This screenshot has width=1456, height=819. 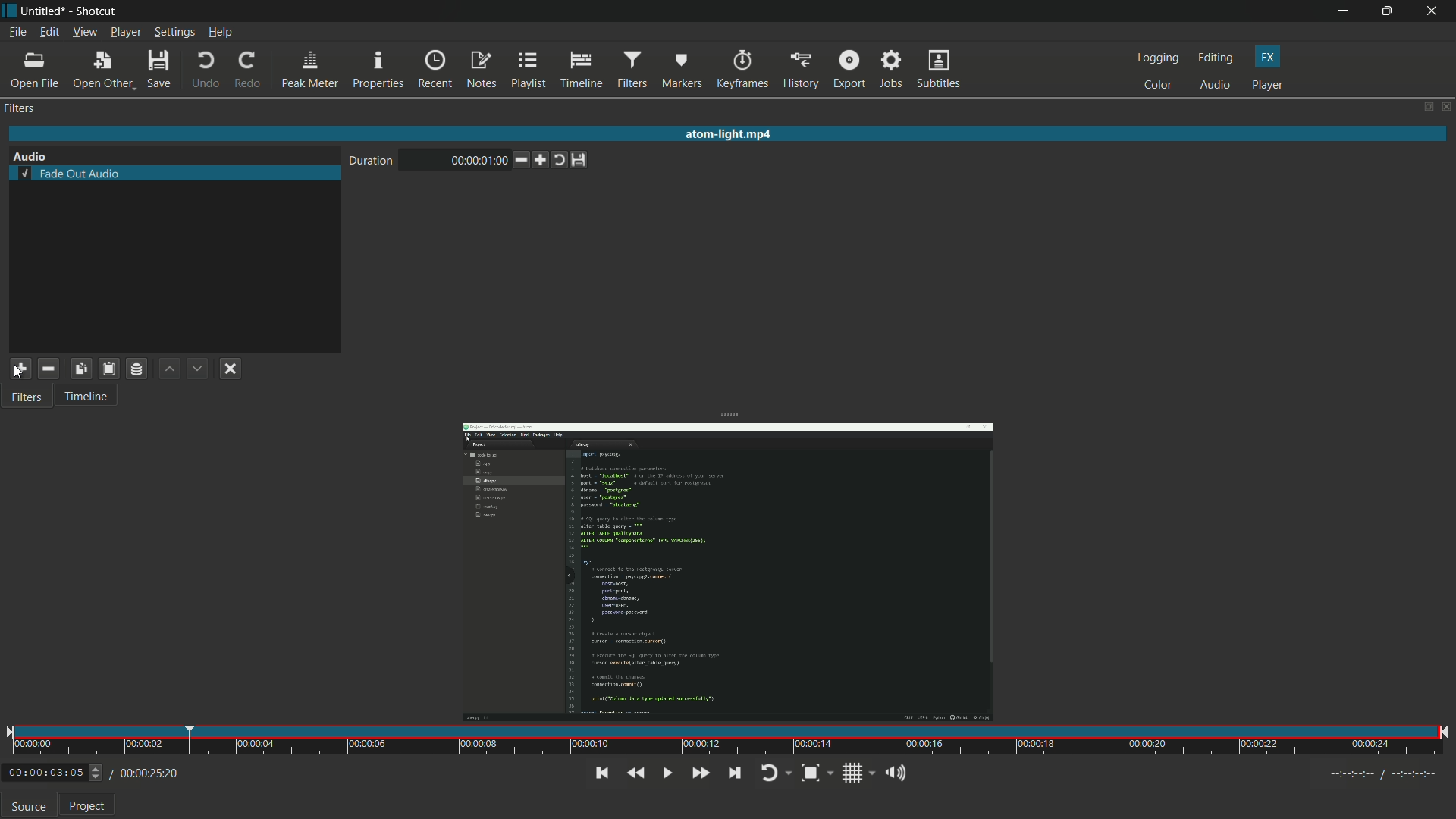 I want to click on decrement, so click(x=522, y=161).